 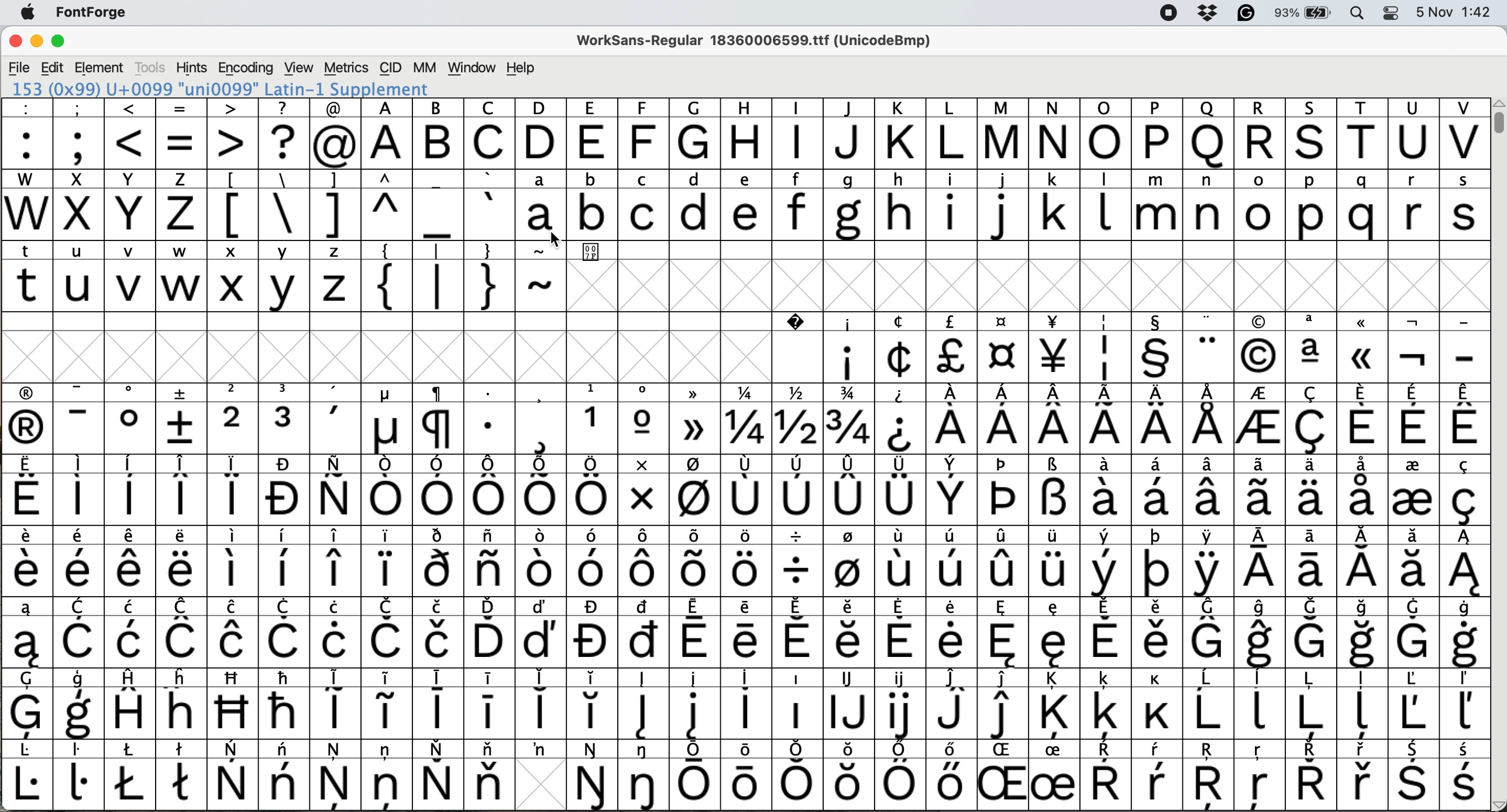 What do you see at coordinates (1261, 421) in the screenshot?
I see `symbol` at bounding box center [1261, 421].